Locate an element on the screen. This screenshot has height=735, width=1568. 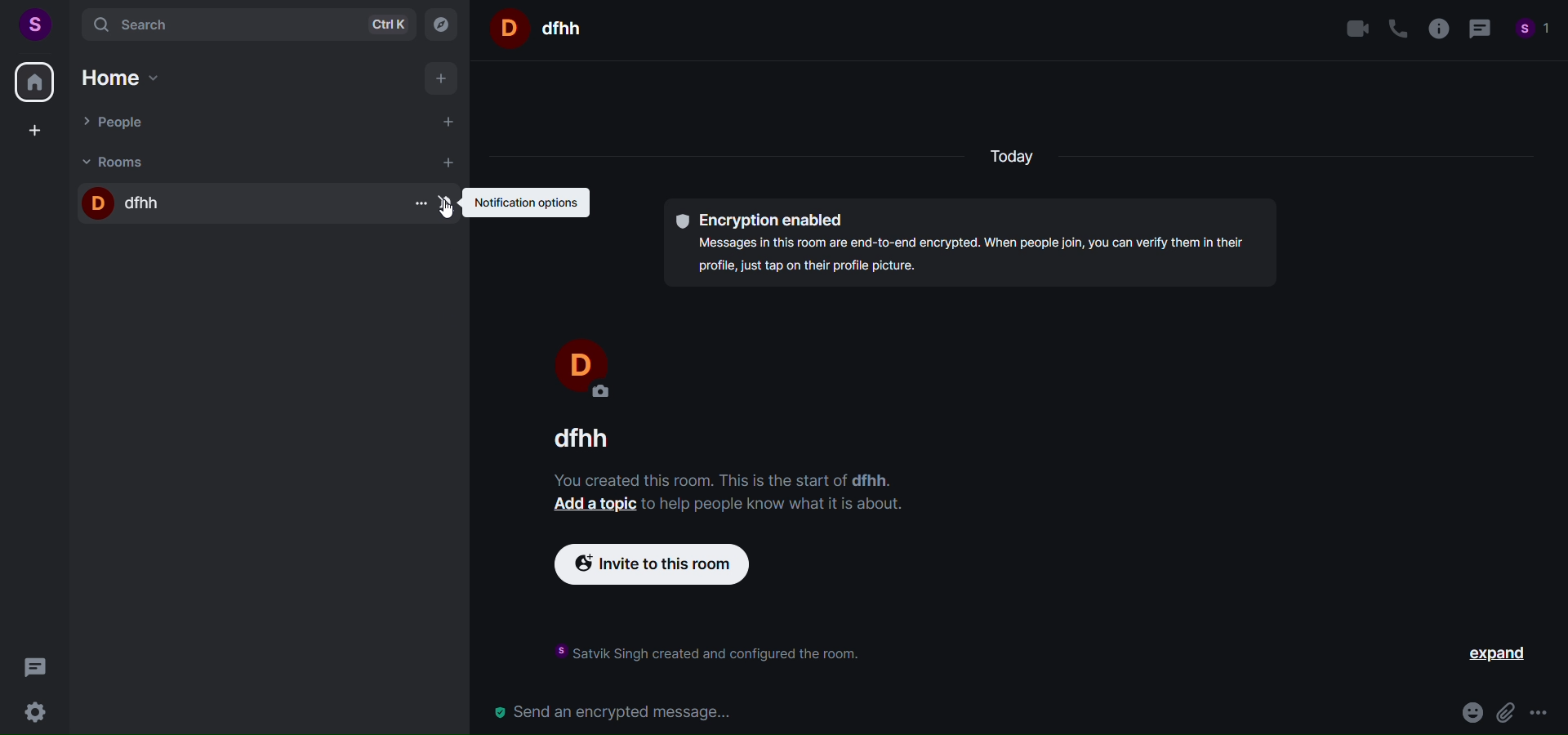
video call is located at coordinates (1355, 28).